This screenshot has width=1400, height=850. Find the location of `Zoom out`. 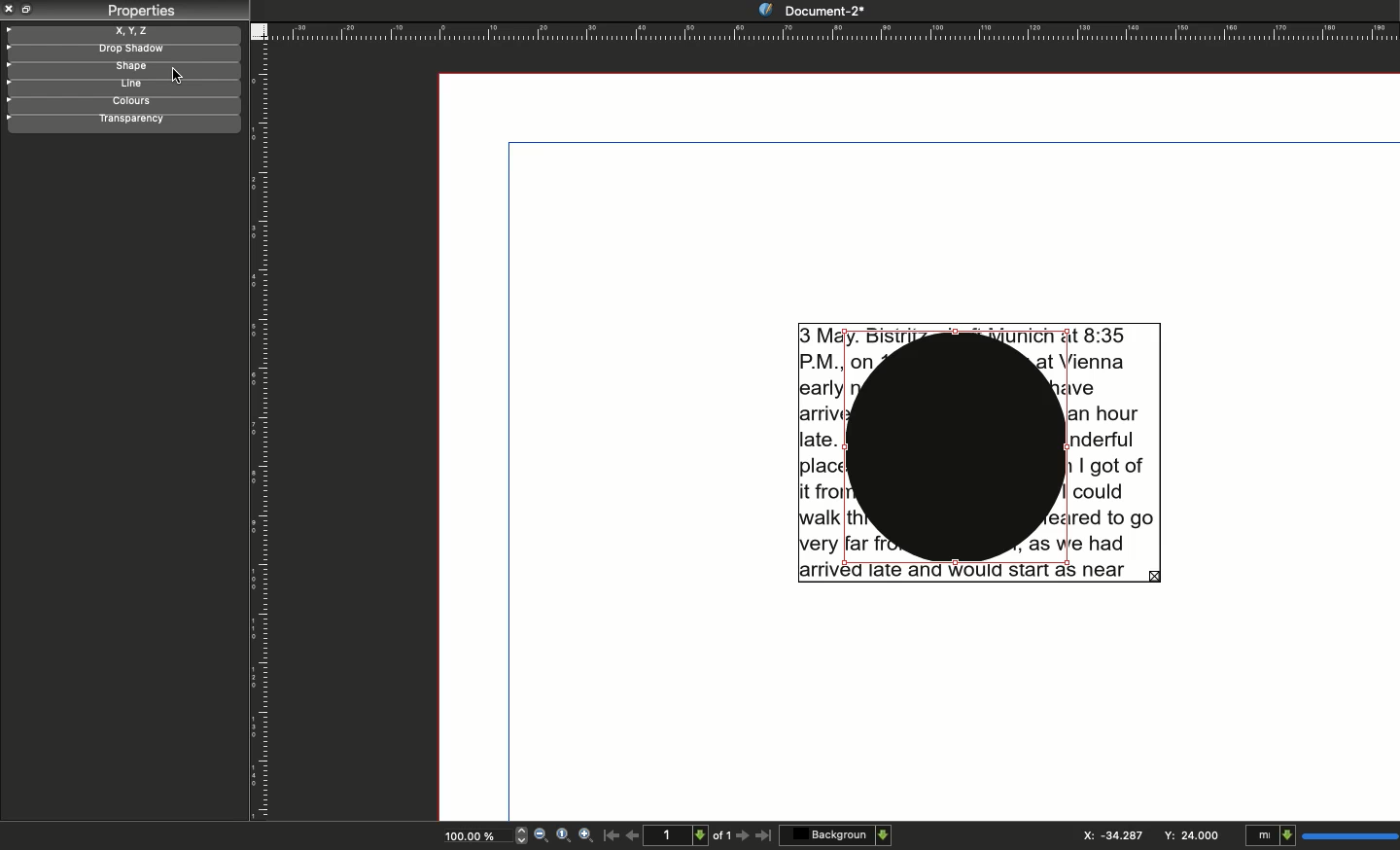

Zoom out is located at coordinates (542, 834).